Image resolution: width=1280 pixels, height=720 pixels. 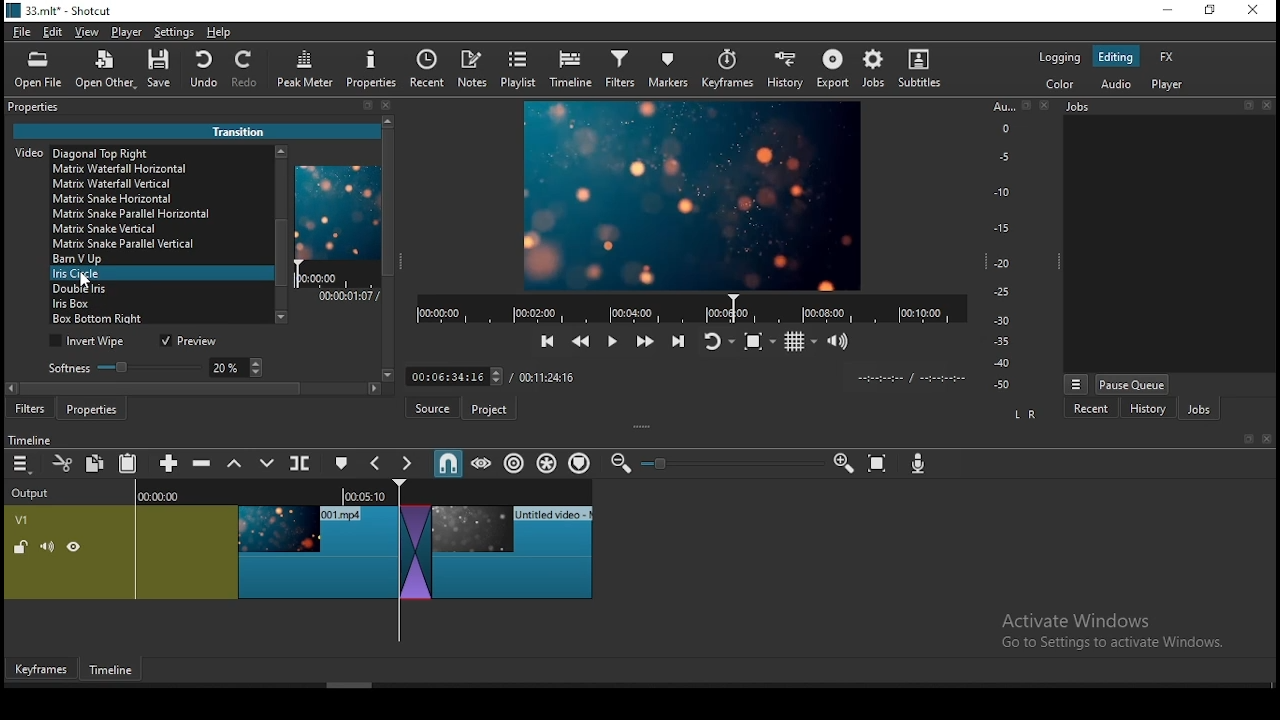 I want to click on Jobs, so click(x=1086, y=110).